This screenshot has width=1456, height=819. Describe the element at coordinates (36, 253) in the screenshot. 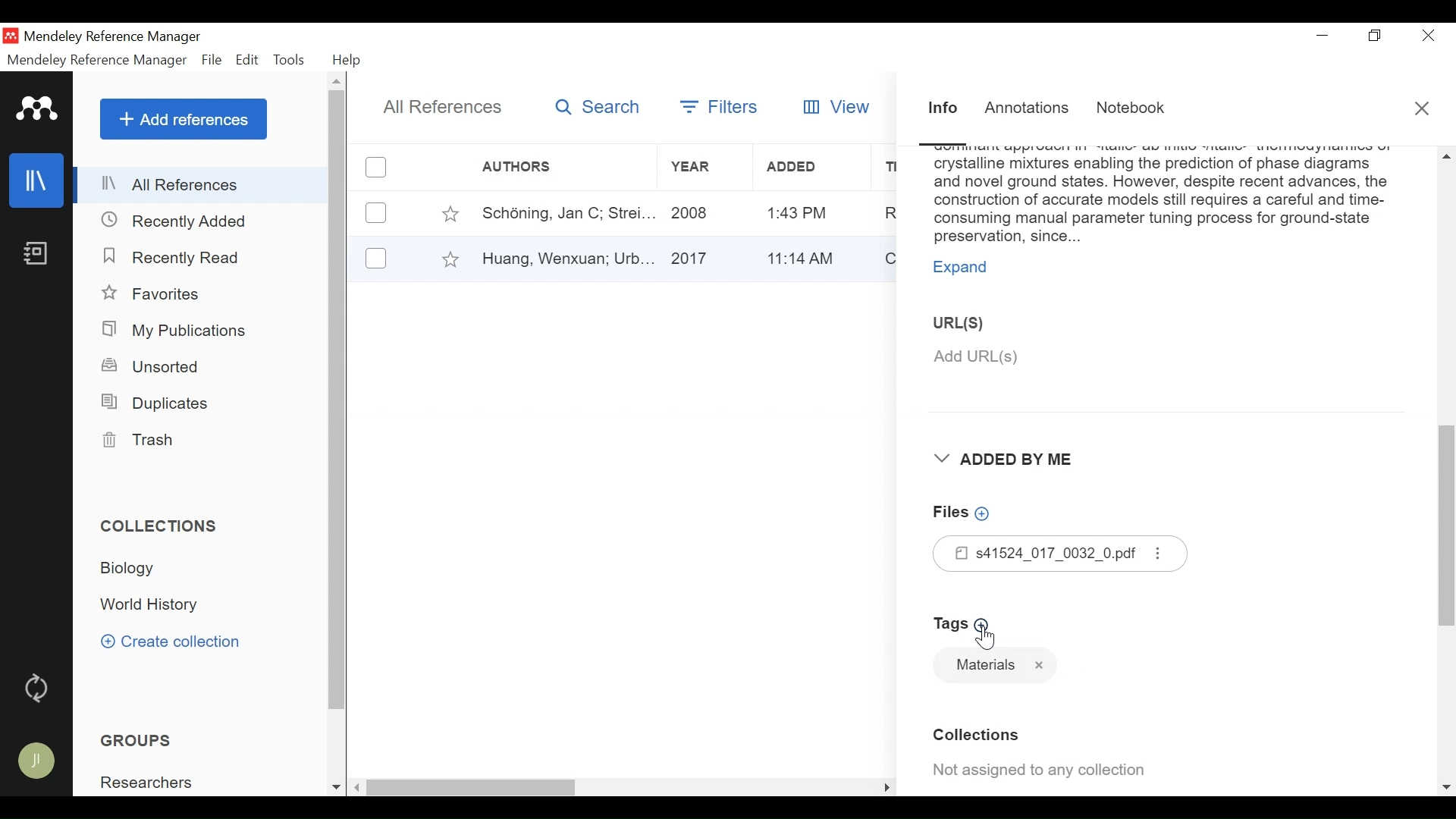

I see `Notebook` at that location.